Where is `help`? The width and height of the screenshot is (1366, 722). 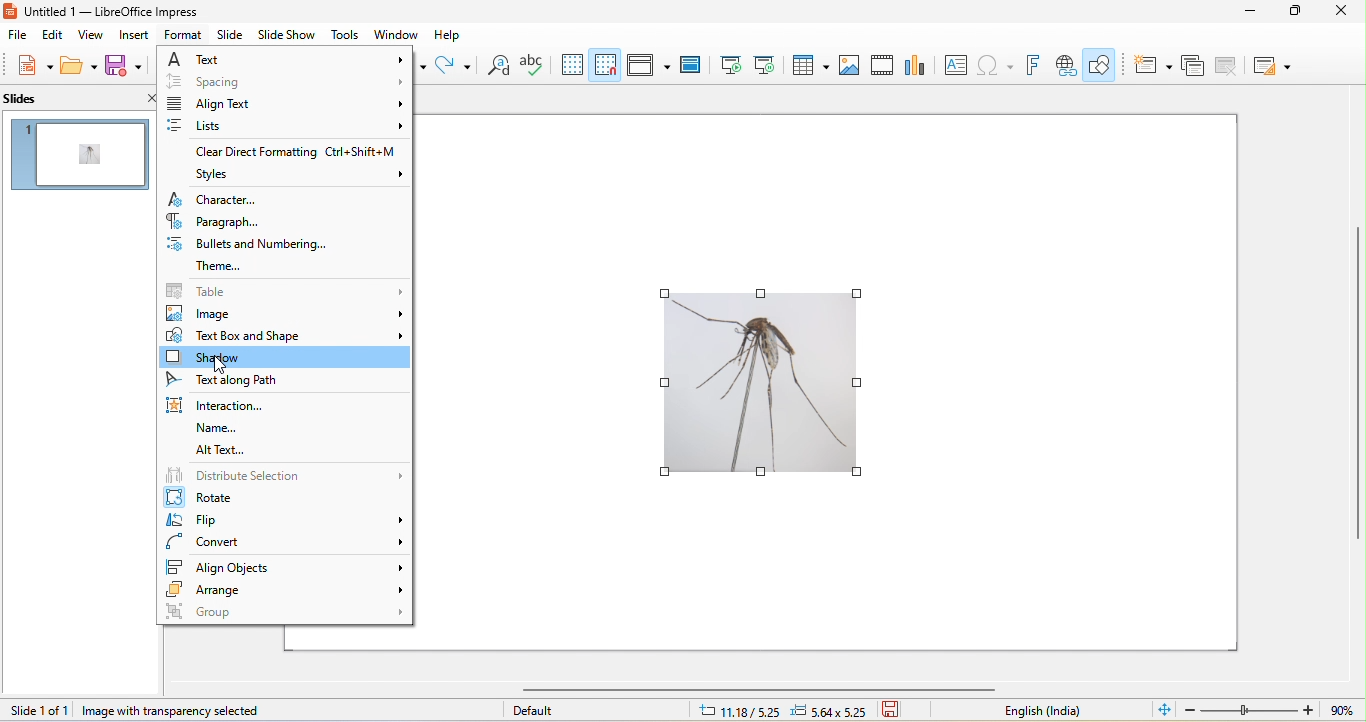
help is located at coordinates (447, 35).